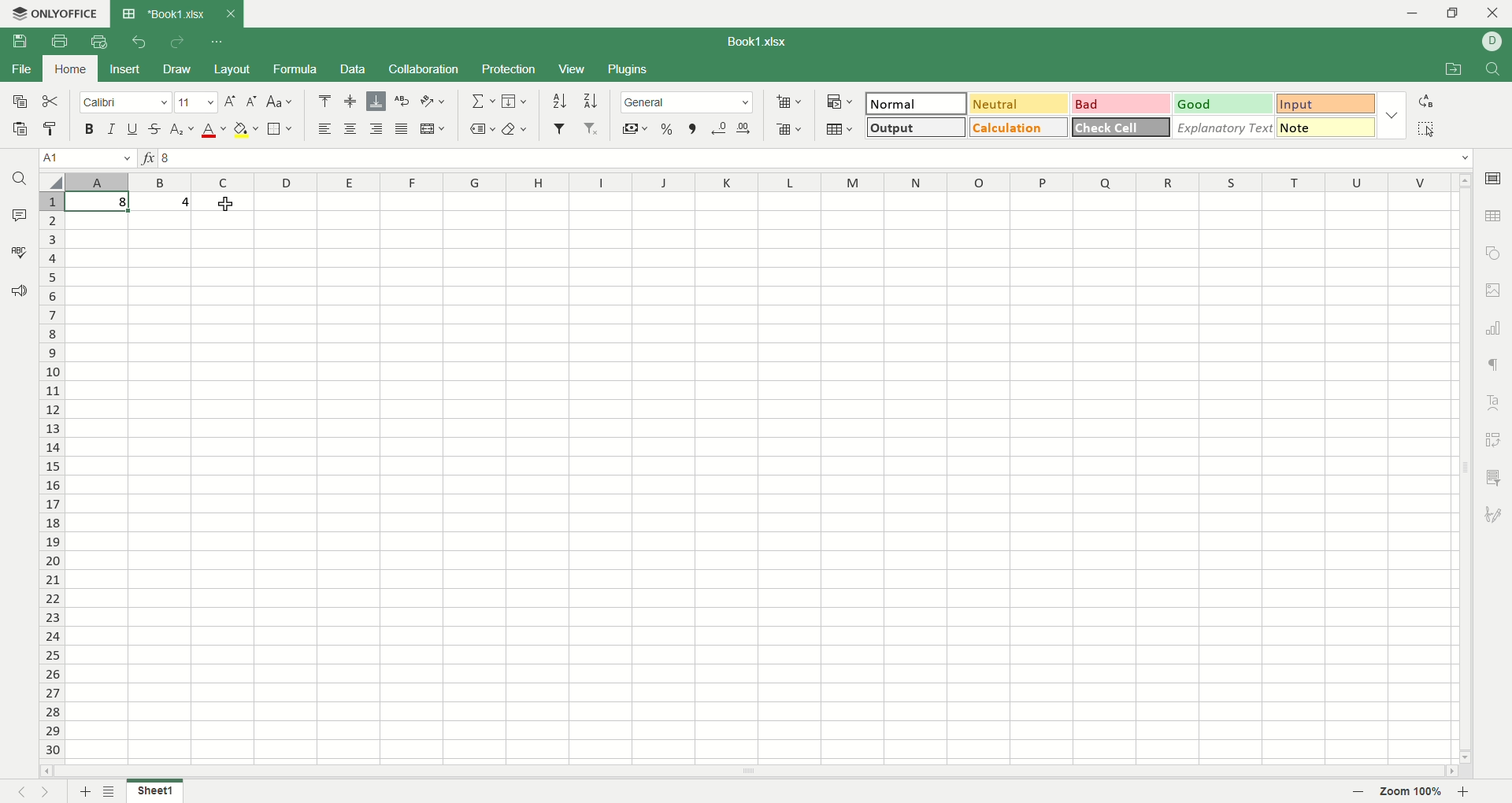  What do you see at coordinates (1462, 467) in the screenshot?
I see `scroll bar` at bounding box center [1462, 467].